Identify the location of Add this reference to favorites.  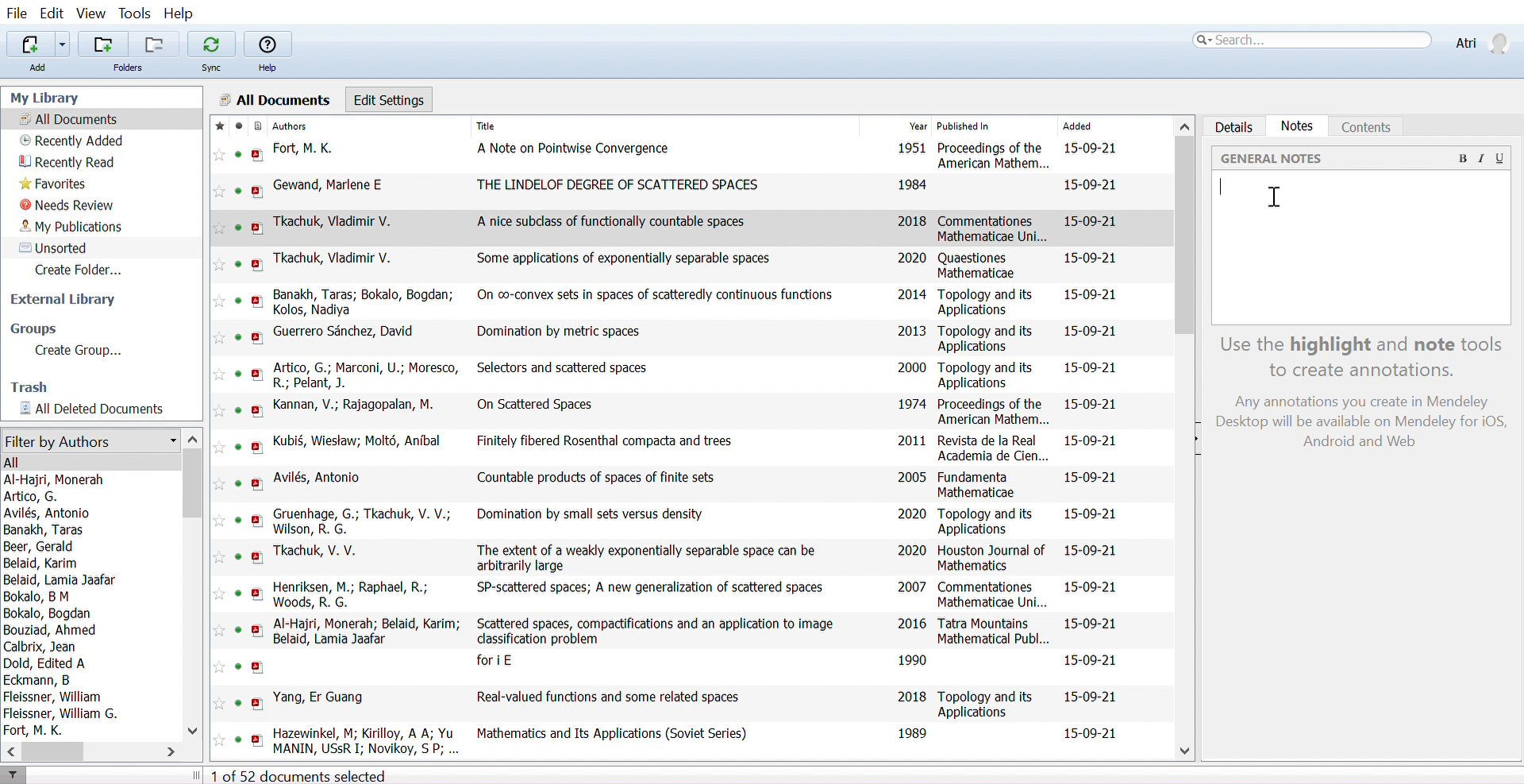
(219, 593).